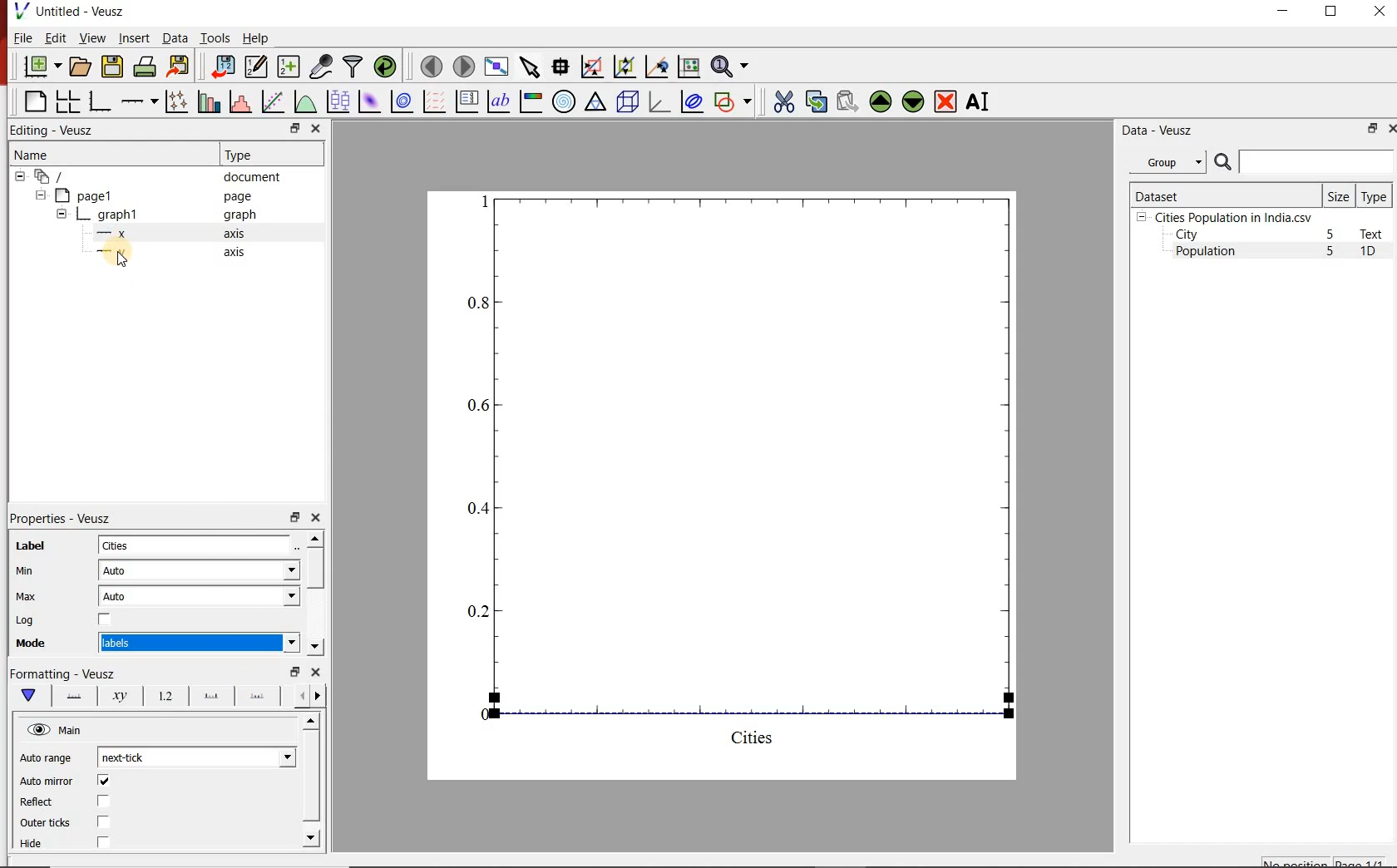 This screenshot has width=1397, height=868. Describe the element at coordinates (692, 102) in the screenshot. I see `plot covariance ellipses` at that location.